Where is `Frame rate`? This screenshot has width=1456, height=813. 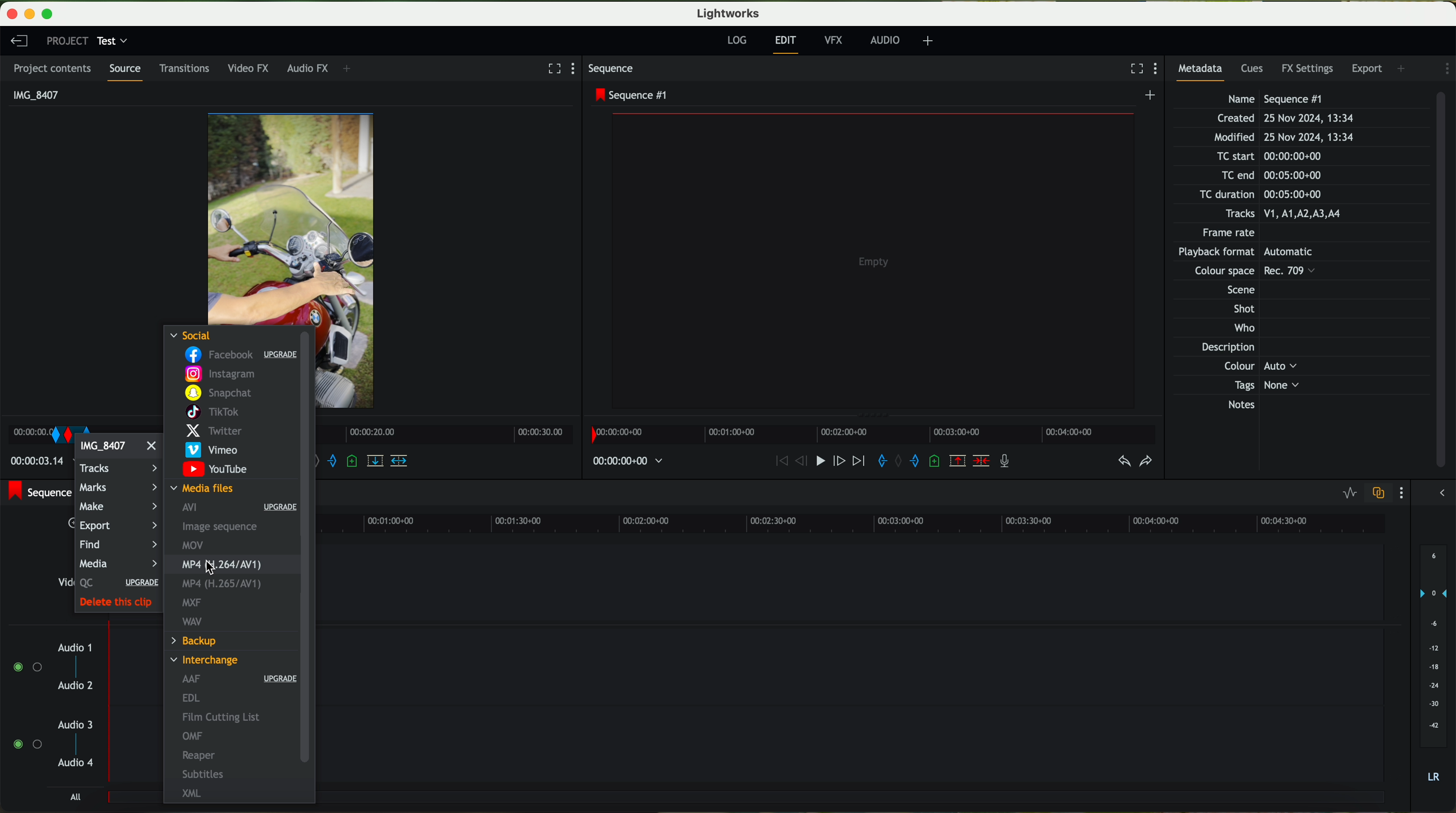 Frame rate is located at coordinates (1232, 235).